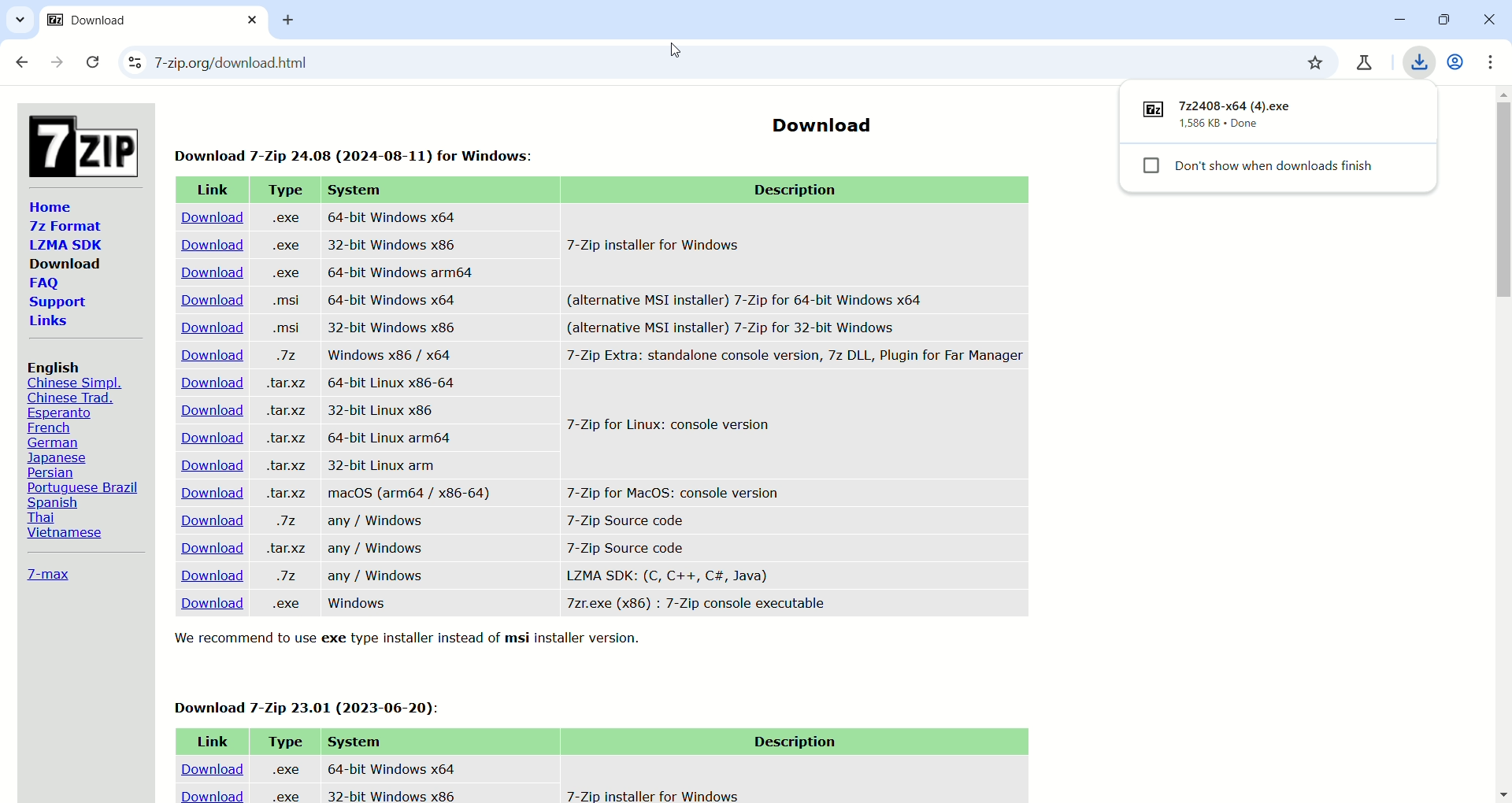 The image size is (1512, 803). Describe the element at coordinates (287, 494) in the screenshot. I see `.tarxz` at that location.